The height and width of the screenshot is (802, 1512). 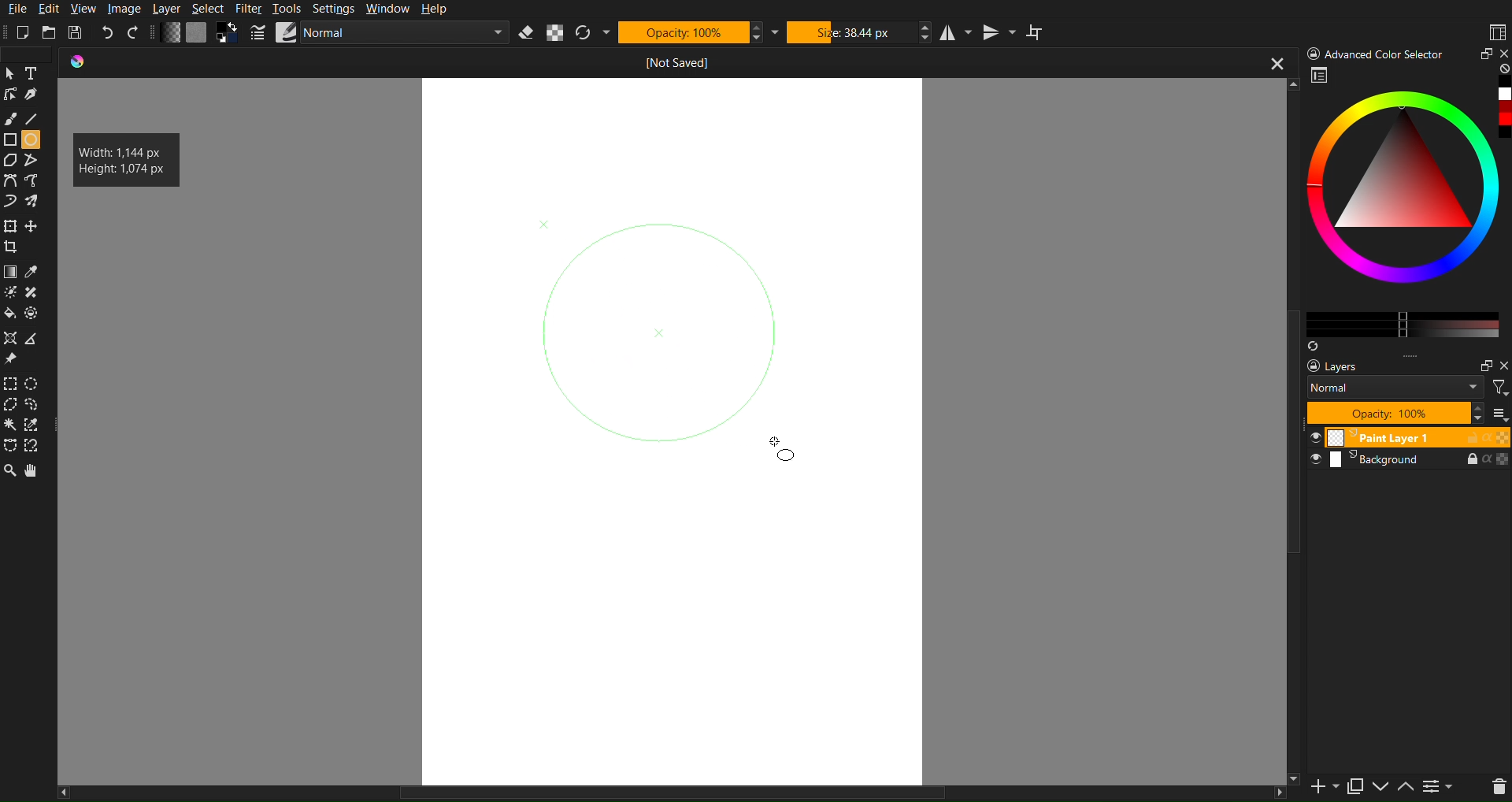 What do you see at coordinates (15, 9) in the screenshot?
I see `File` at bounding box center [15, 9].